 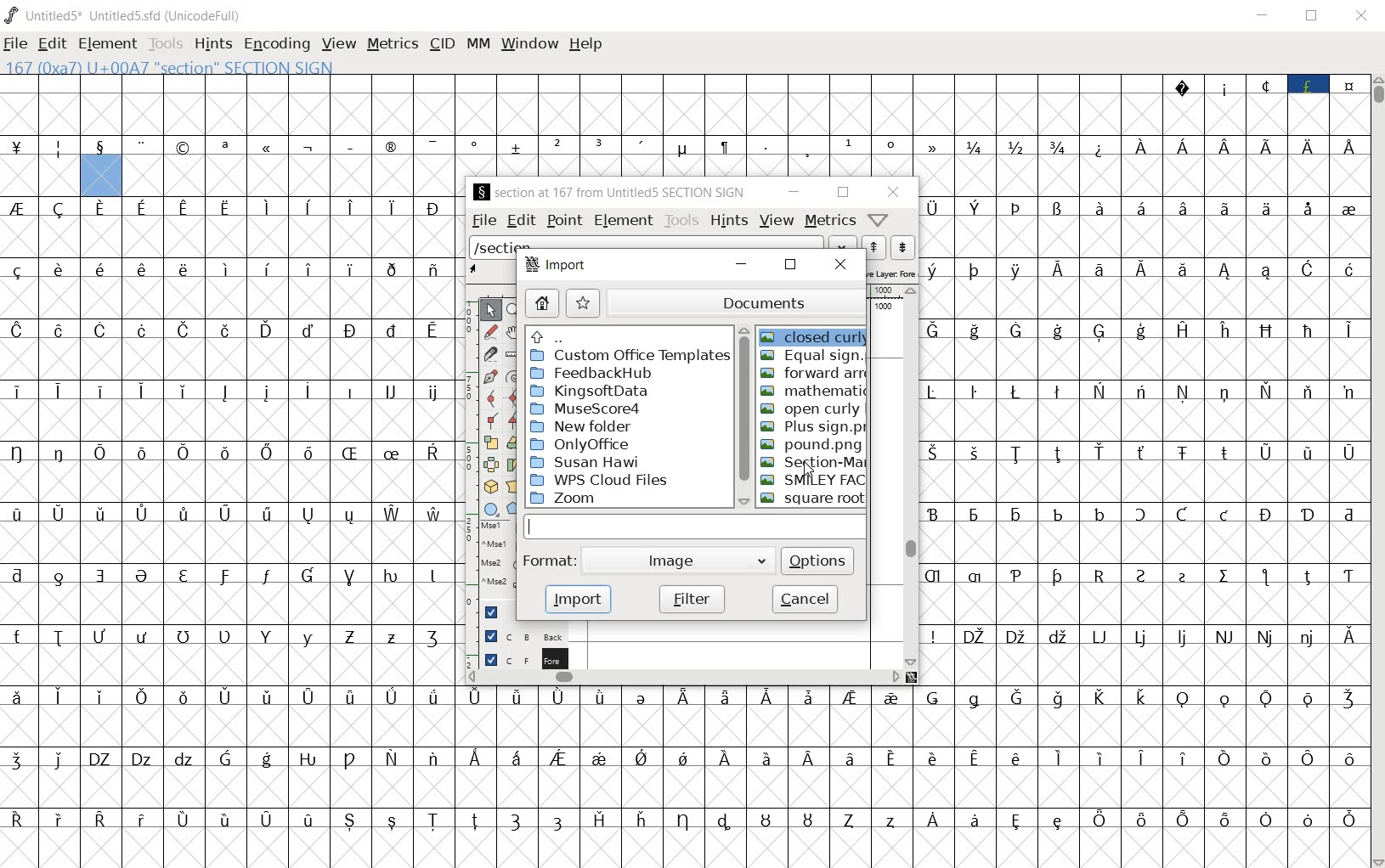 I want to click on special letters, so click(x=229, y=270).